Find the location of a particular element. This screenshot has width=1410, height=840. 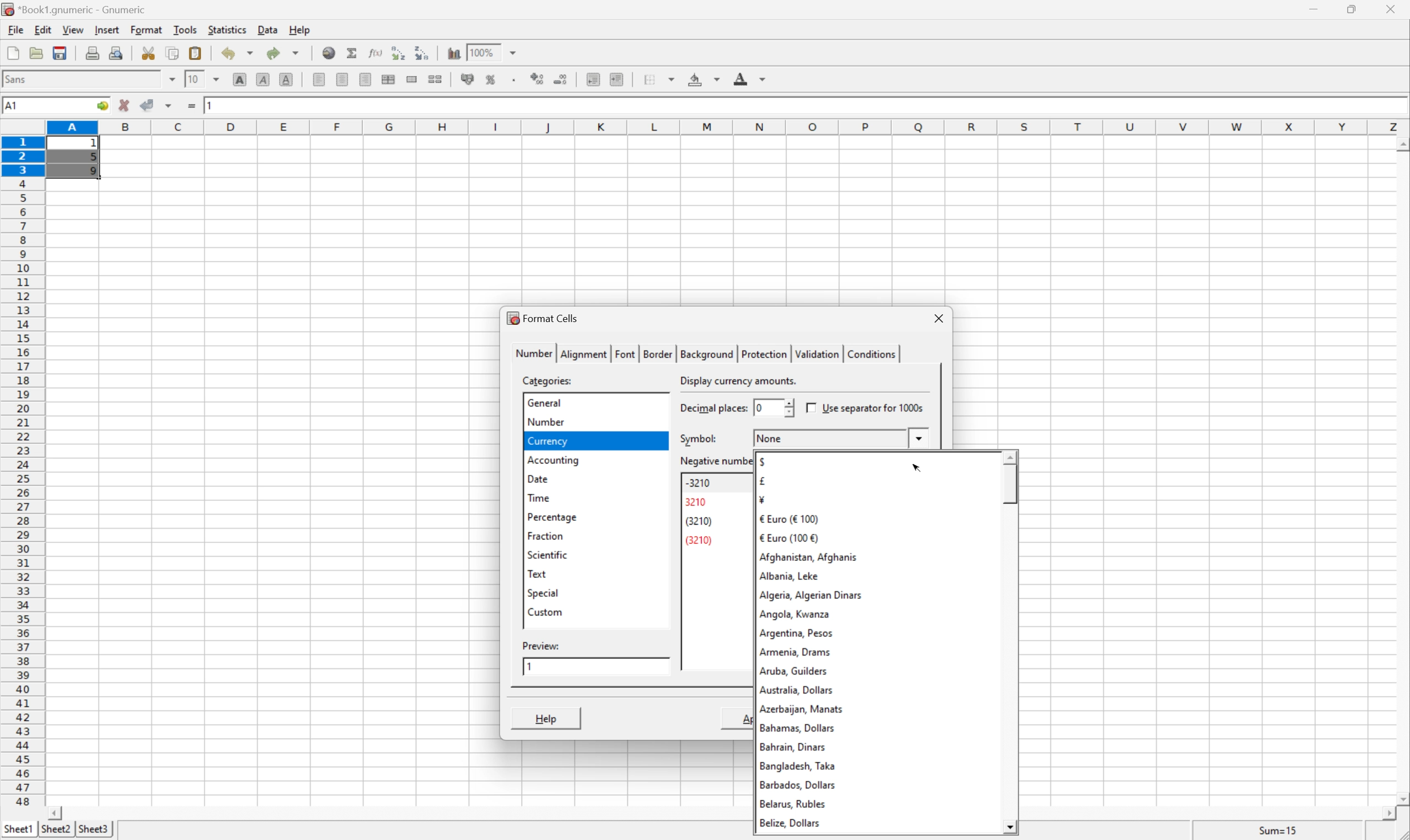

close is located at coordinates (939, 319).